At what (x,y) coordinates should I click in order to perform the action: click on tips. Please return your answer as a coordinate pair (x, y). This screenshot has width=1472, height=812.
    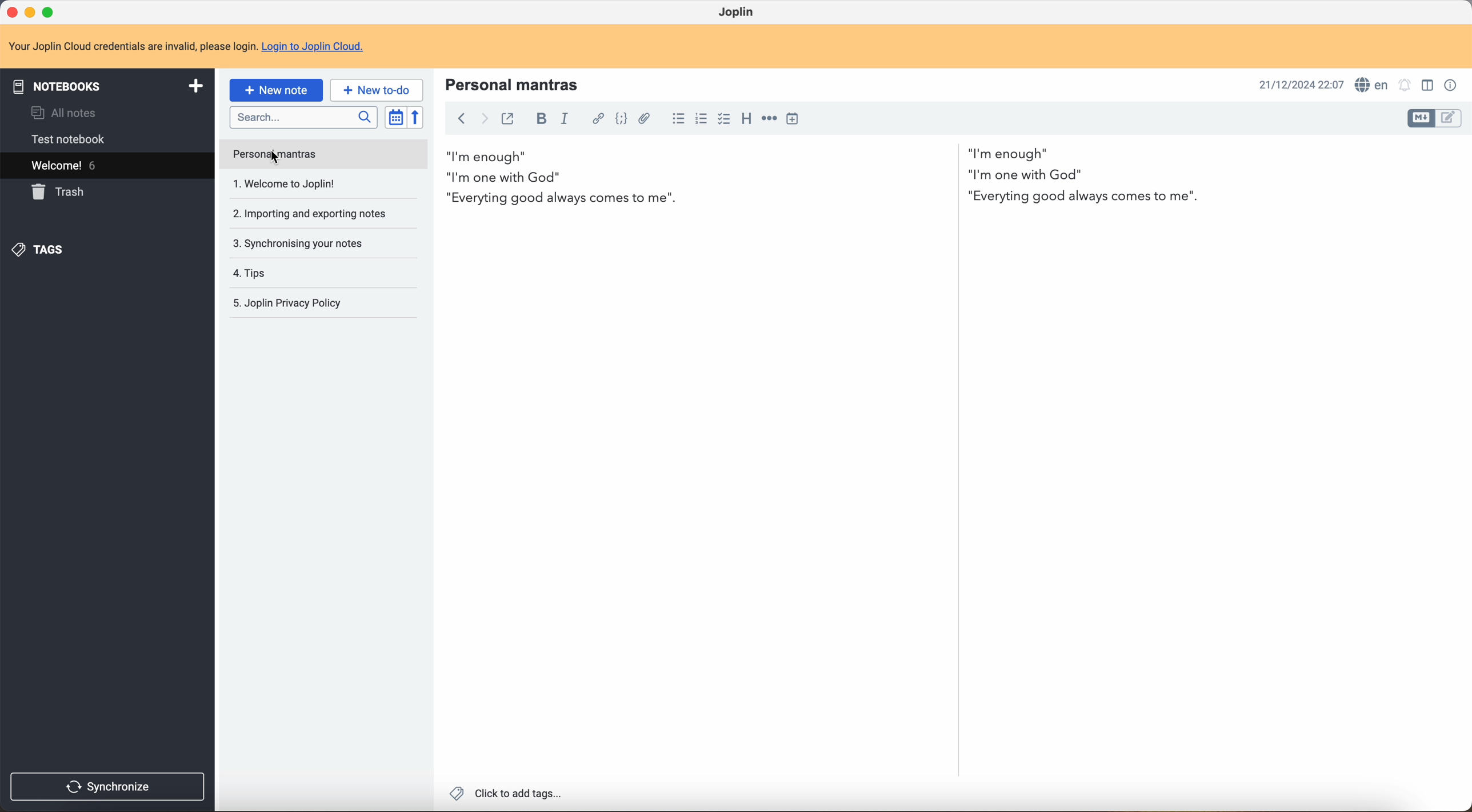
    Looking at the image, I should click on (250, 274).